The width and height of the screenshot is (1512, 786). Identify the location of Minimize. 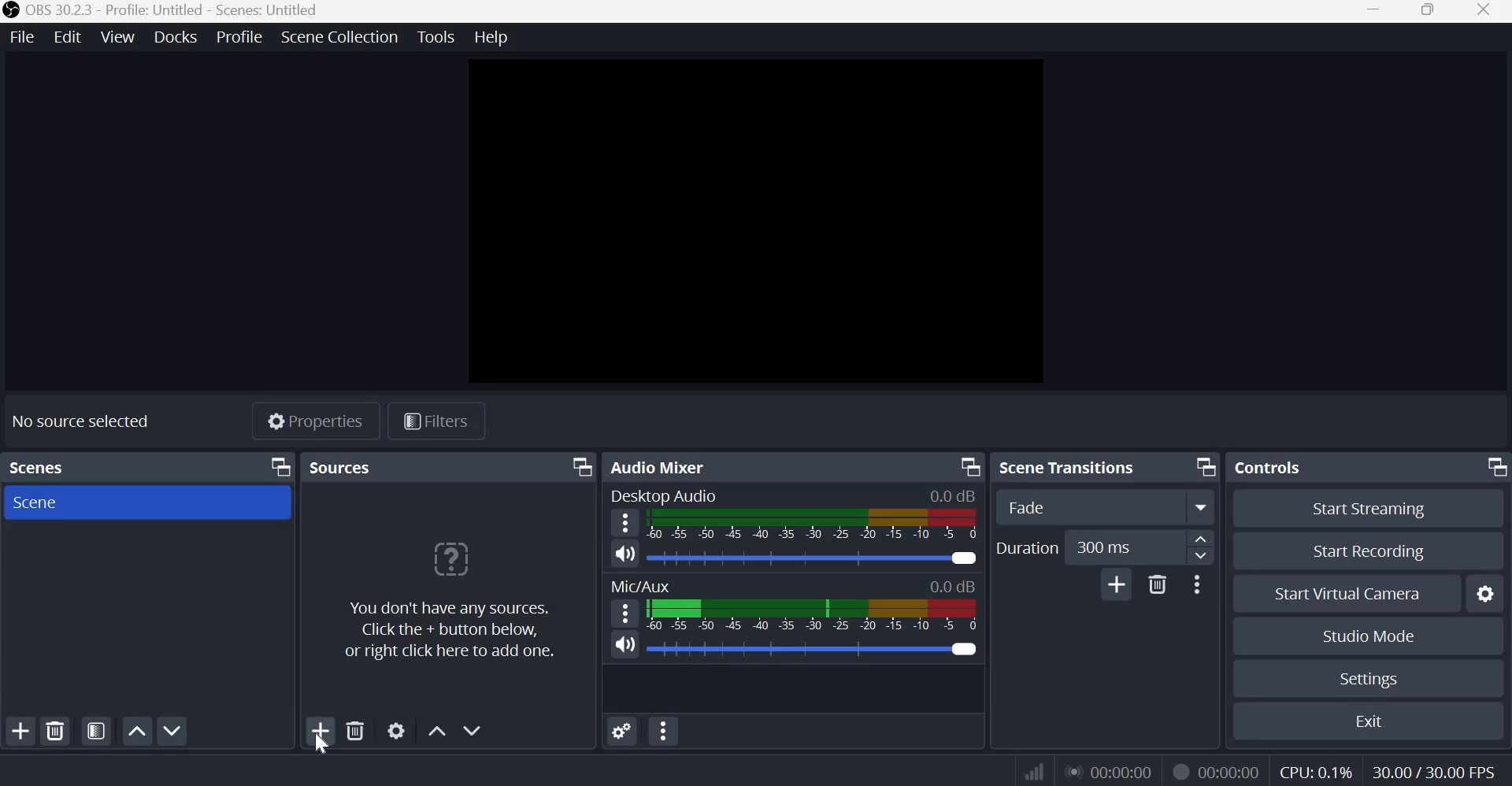
(1374, 11).